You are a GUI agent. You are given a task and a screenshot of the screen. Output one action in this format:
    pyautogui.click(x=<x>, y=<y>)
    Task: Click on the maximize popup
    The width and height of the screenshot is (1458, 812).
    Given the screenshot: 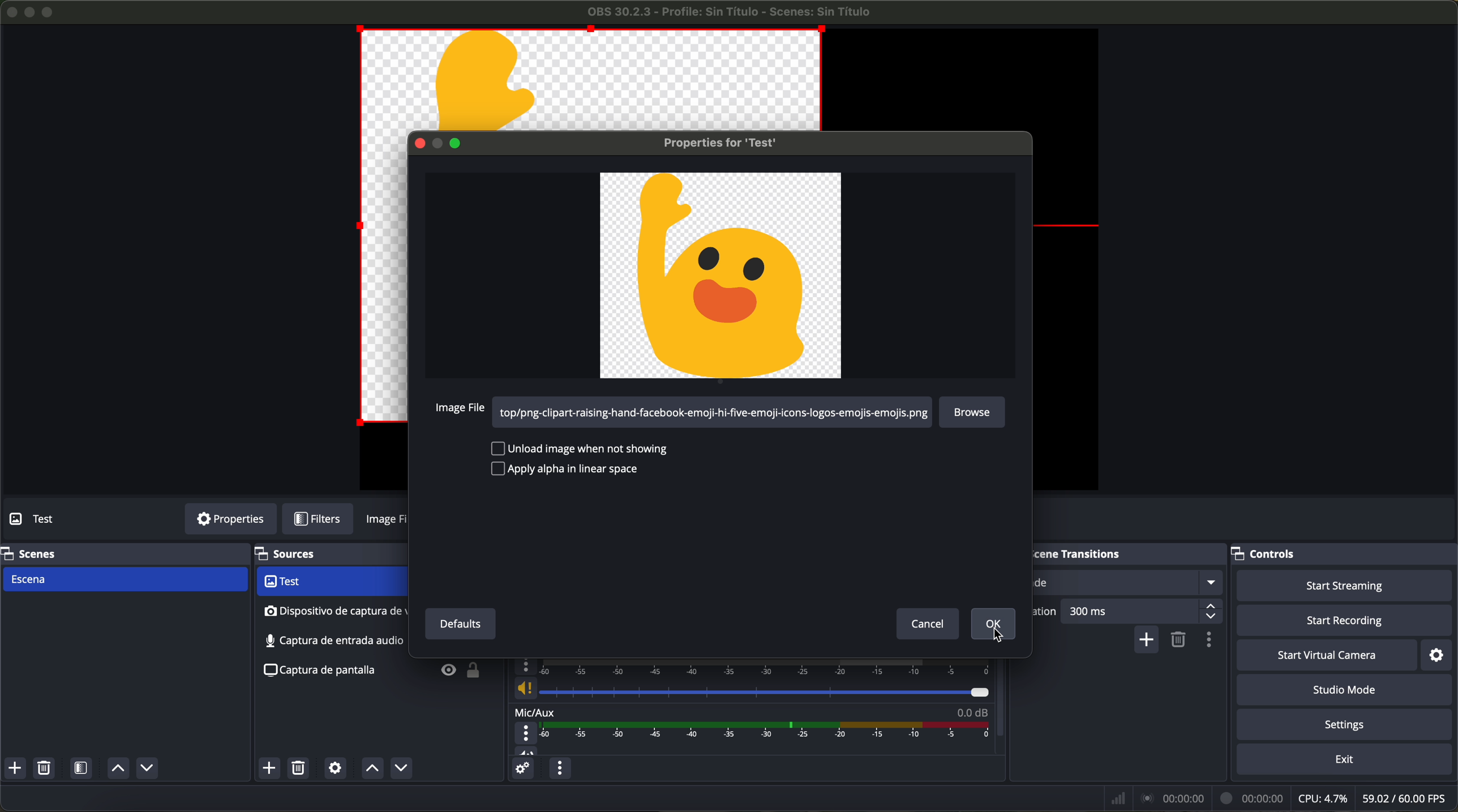 What is the action you would take?
    pyautogui.click(x=462, y=143)
    